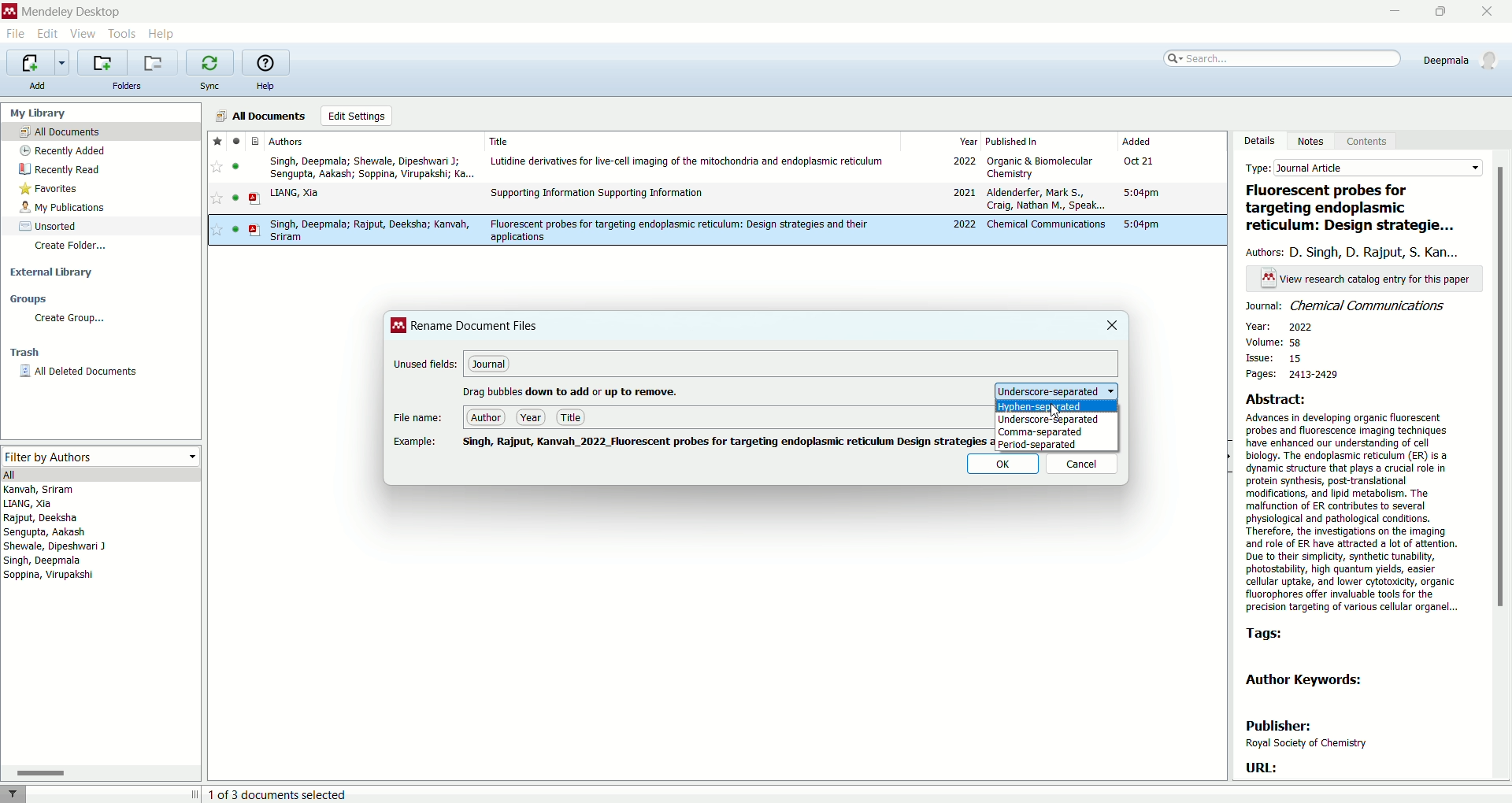  What do you see at coordinates (101, 474) in the screenshot?
I see `all` at bounding box center [101, 474].